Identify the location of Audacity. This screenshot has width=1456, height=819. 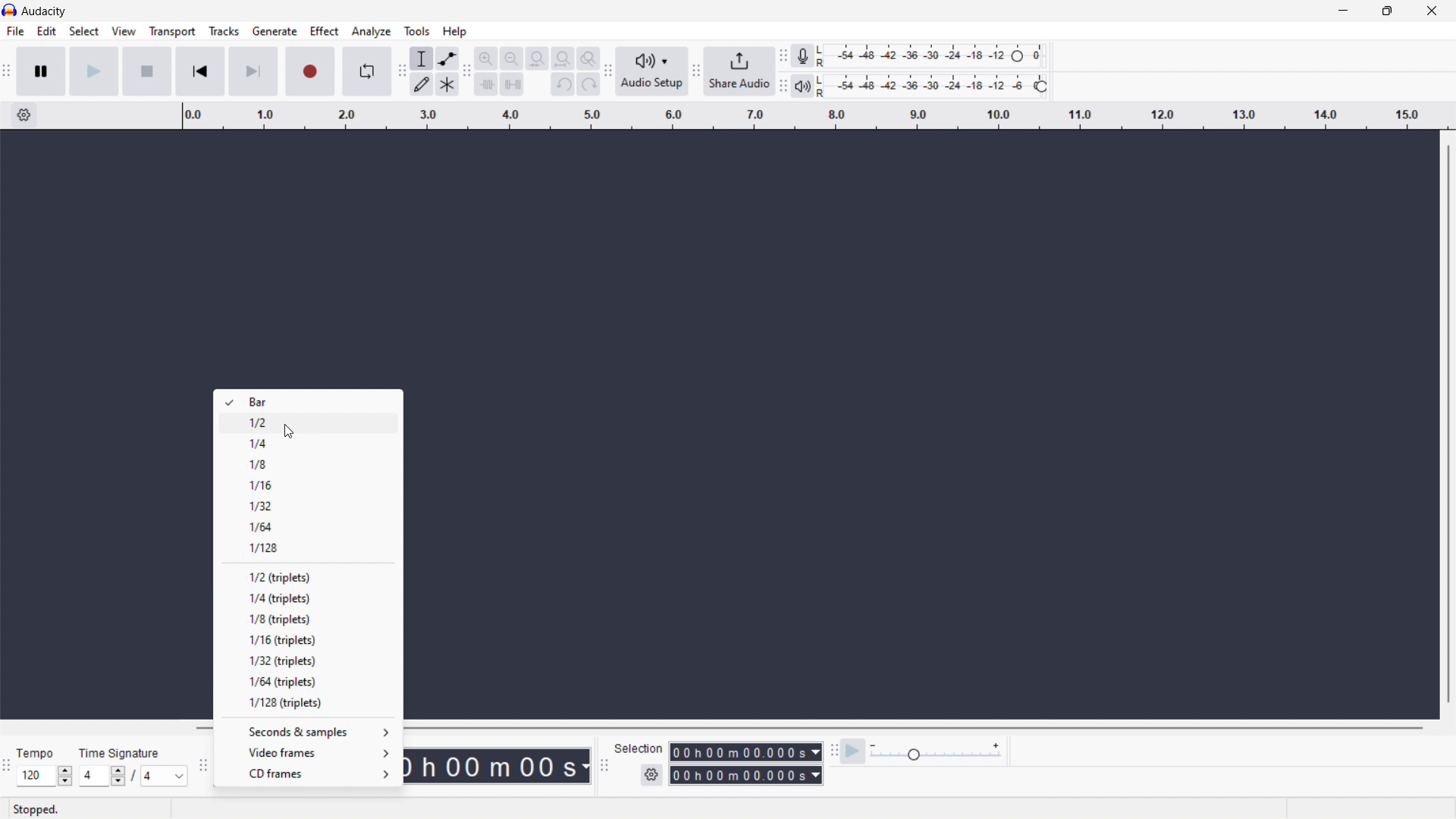
(45, 11).